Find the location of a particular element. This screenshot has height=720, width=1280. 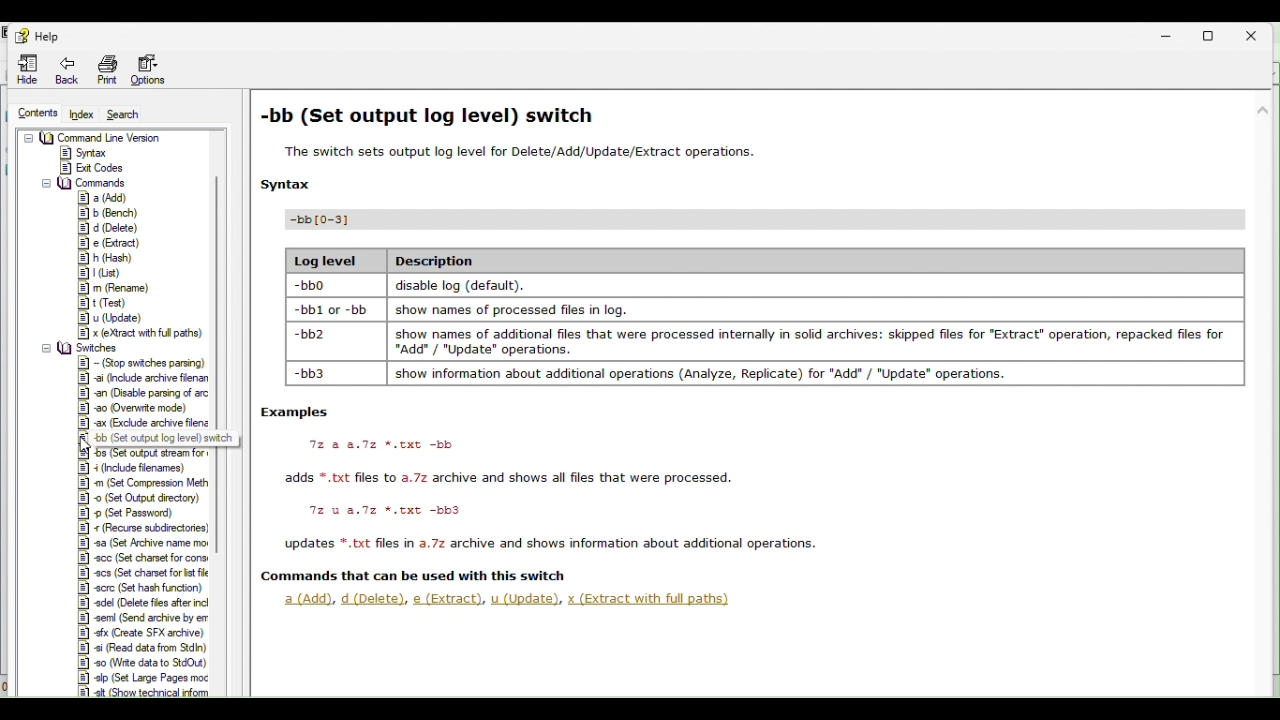

Options is located at coordinates (159, 70).